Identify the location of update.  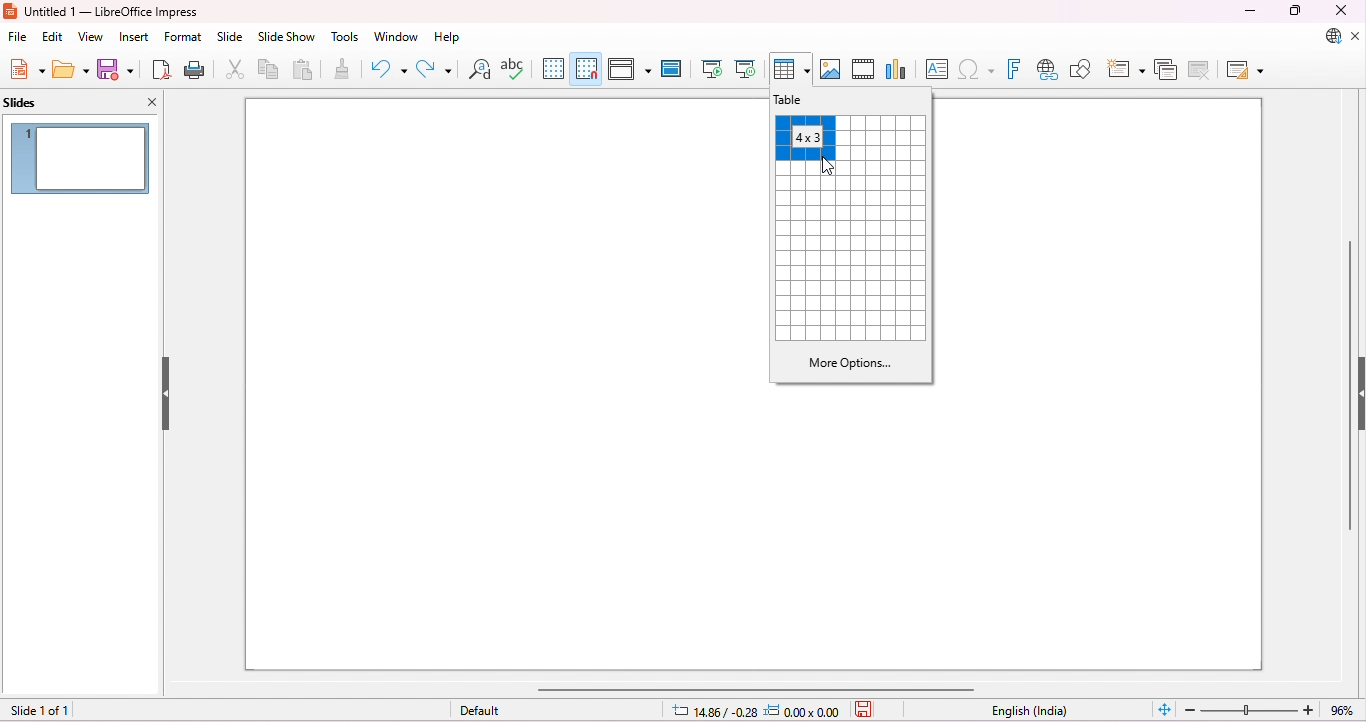
(1328, 36).